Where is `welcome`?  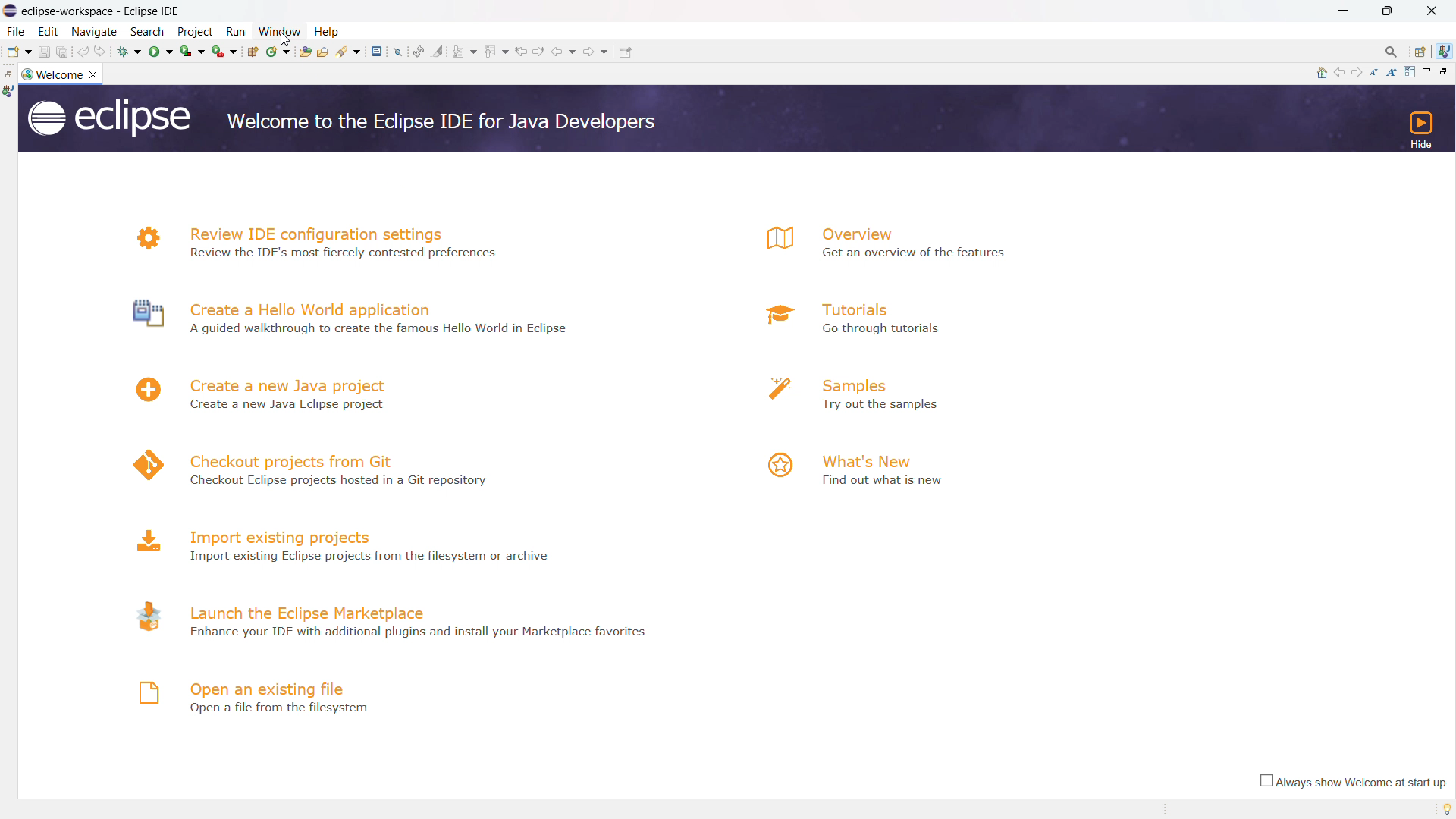
welcome is located at coordinates (60, 74).